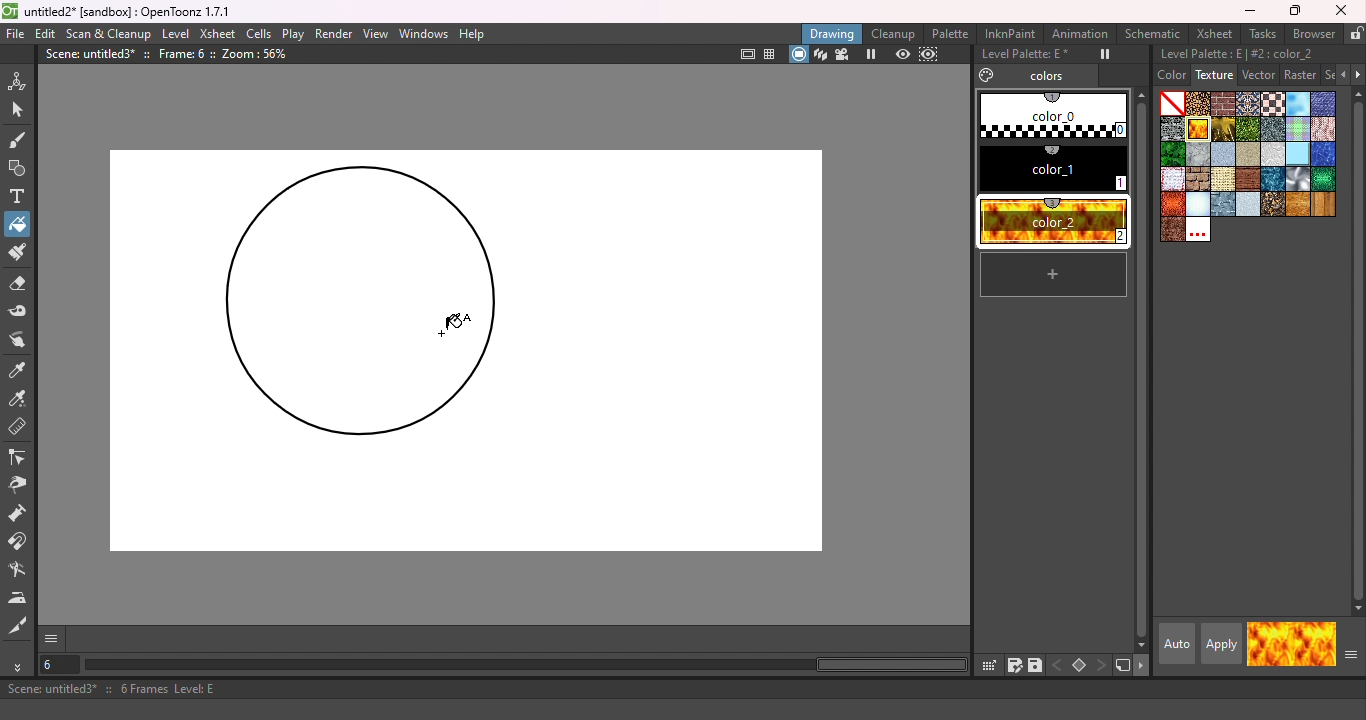 The width and height of the screenshot is (1366, 720). What do you see at coordinates (218, 34) in the screenshot?
I see `Xsheet` at bounding box center [218, 34].